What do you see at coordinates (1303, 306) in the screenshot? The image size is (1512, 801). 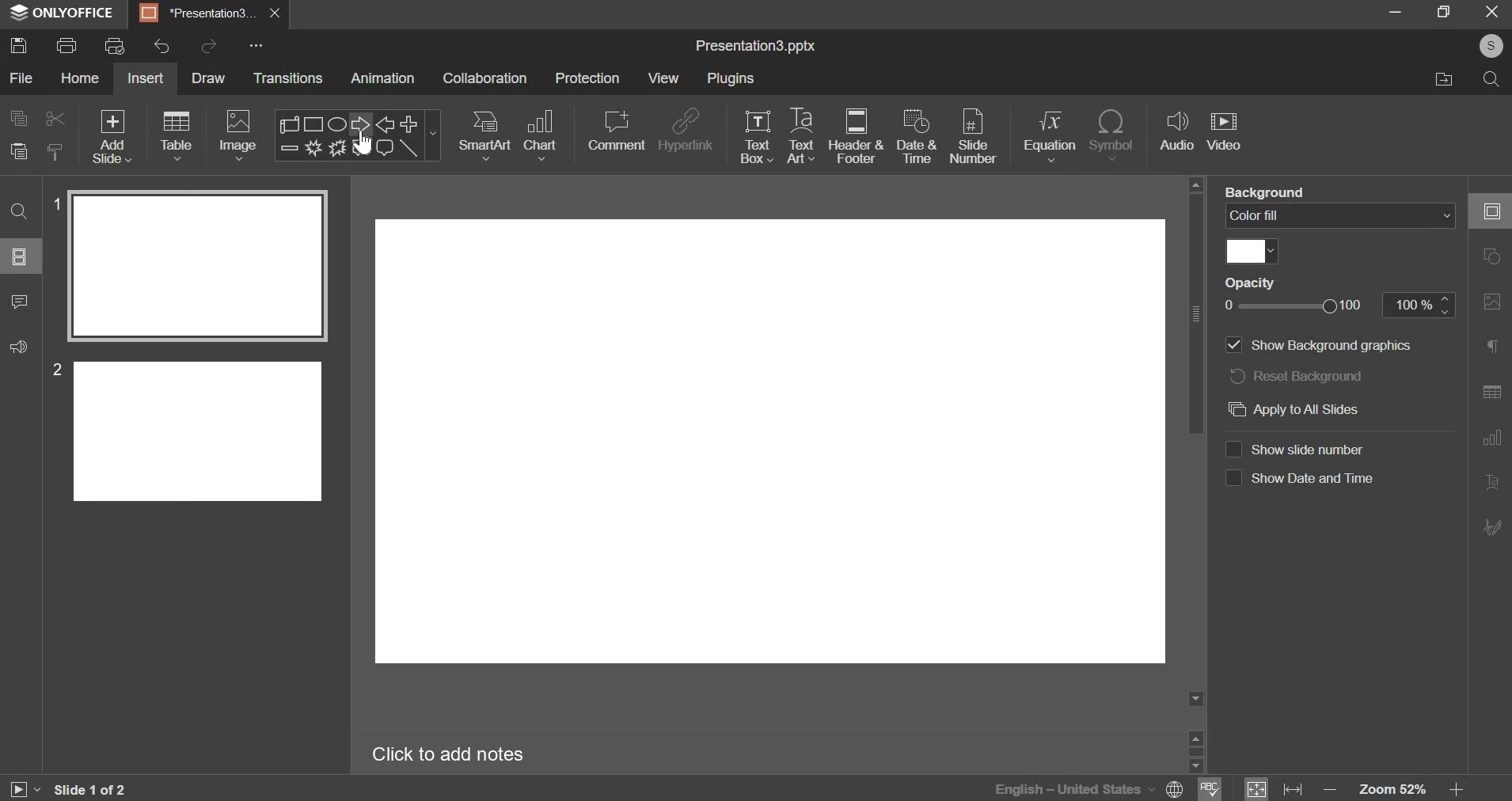 I see `opacity` at bounding box center [1303, 306].